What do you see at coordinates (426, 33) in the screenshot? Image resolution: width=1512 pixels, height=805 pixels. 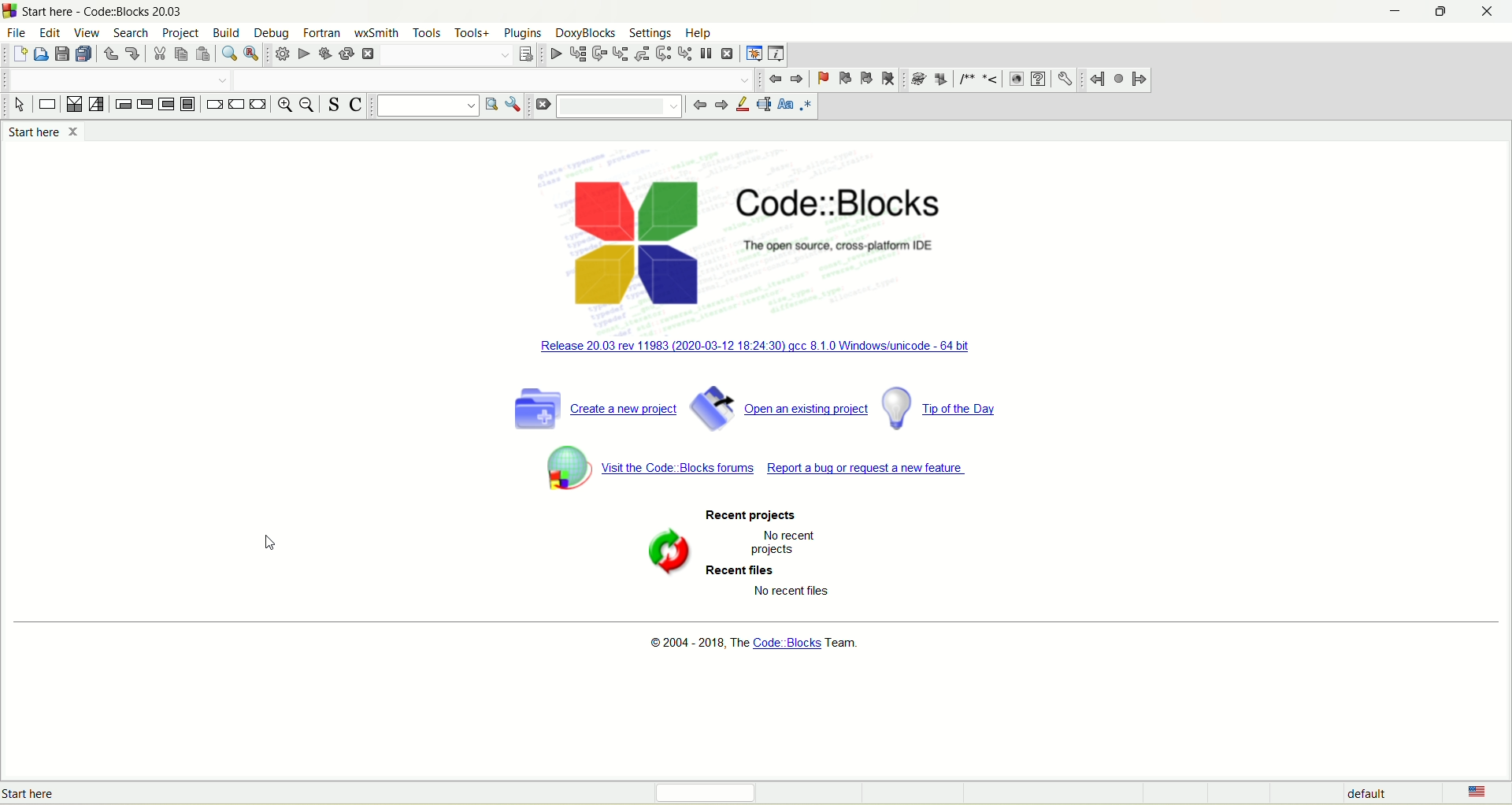 I see `tools` at bounding box center [426, 33].